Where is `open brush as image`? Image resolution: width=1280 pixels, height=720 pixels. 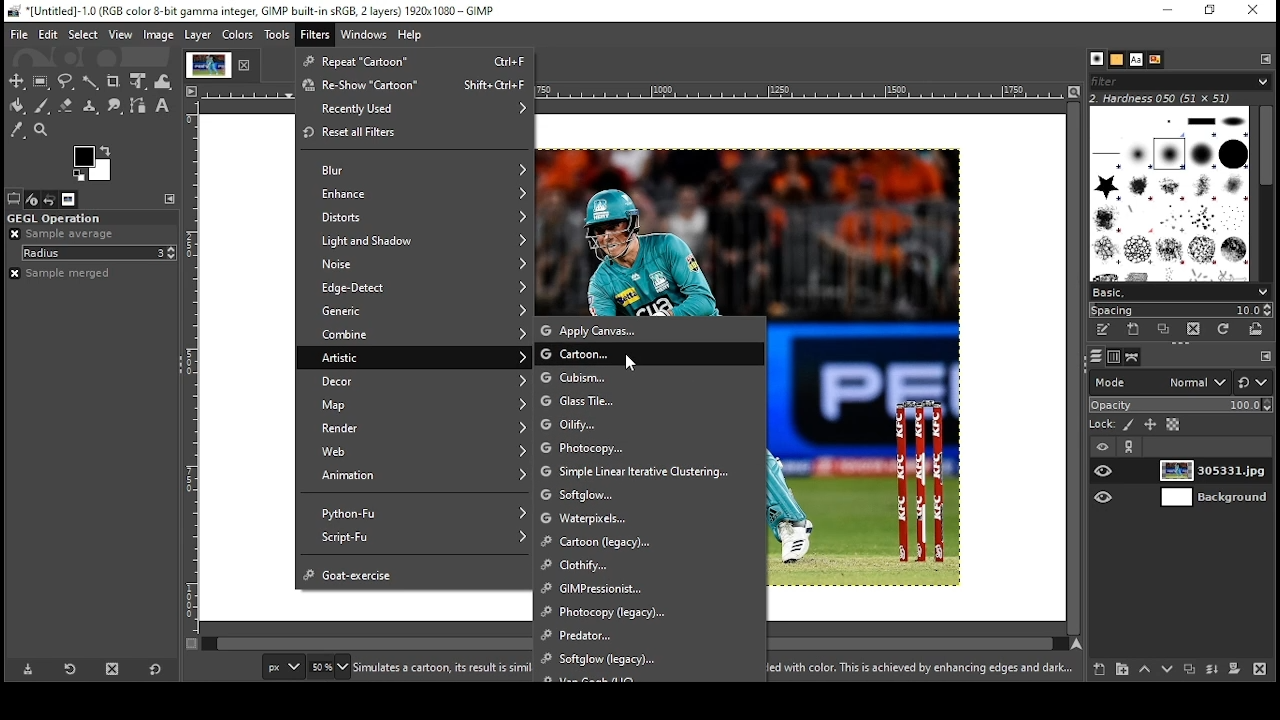 open brush as image is located at coordinates (1257, 329).